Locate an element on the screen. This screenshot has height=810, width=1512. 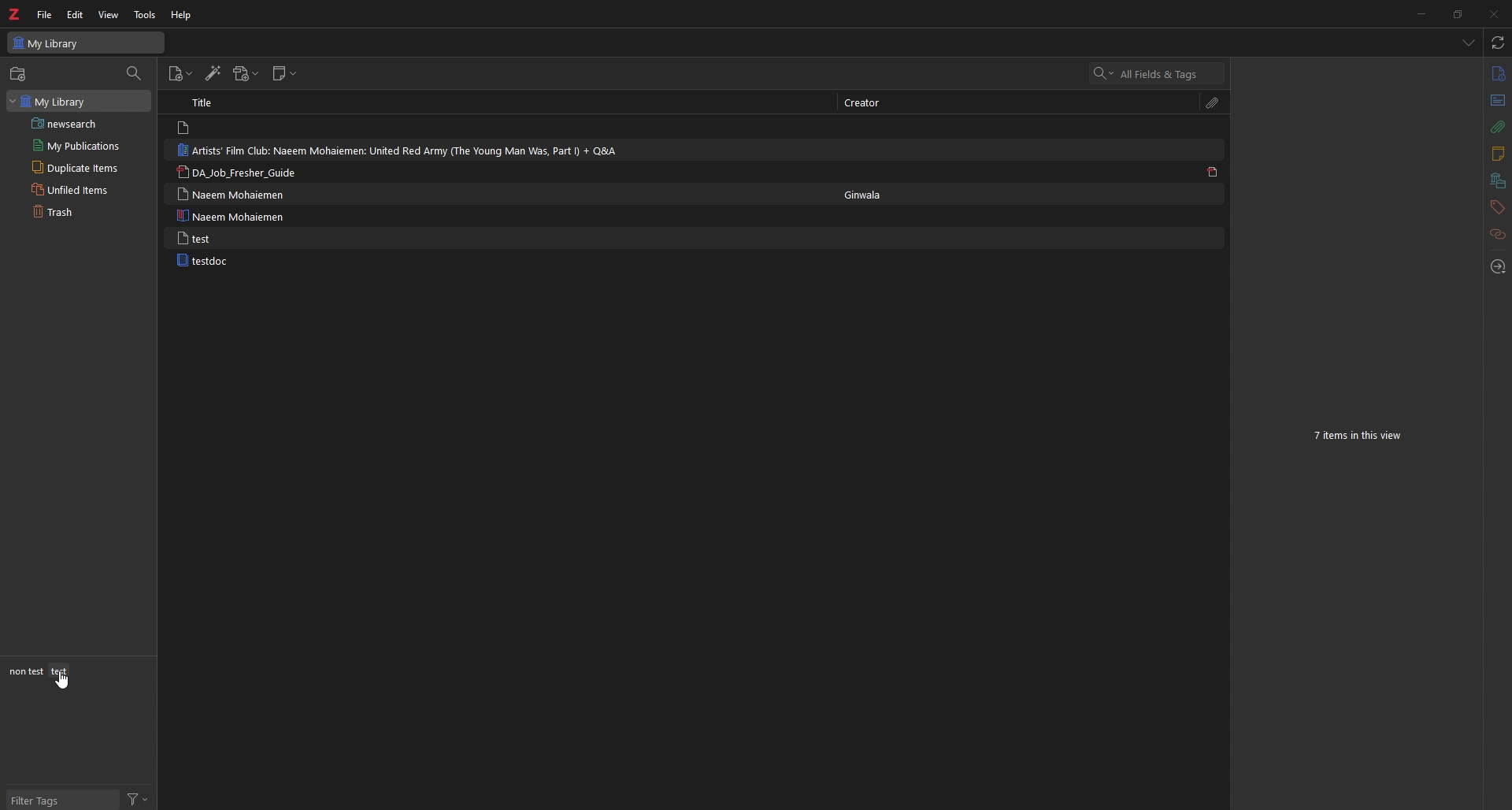
non test is located at coordinates (24, 672).